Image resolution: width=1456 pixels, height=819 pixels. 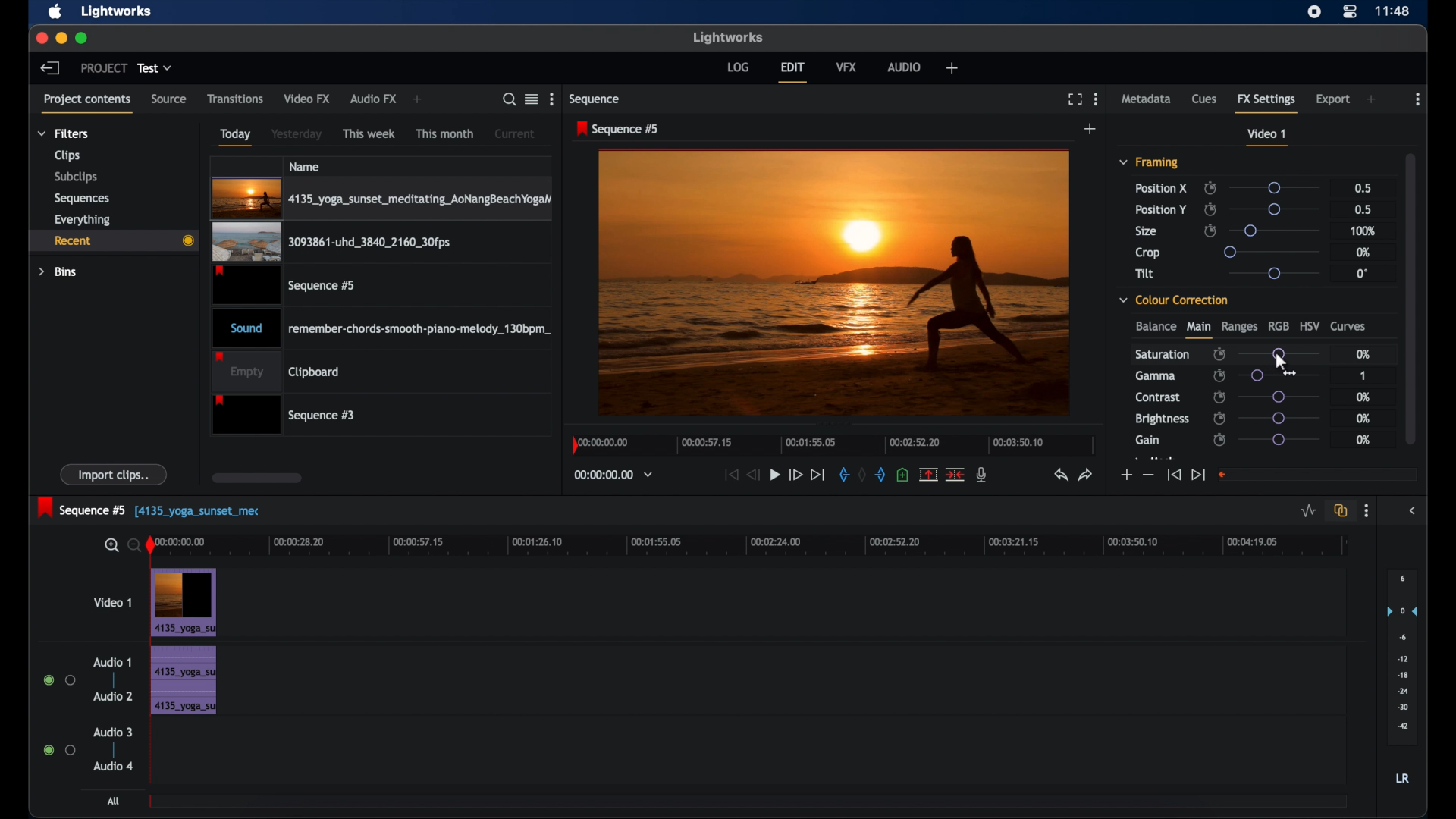 I want to click on filters, so click(x=62, y=133).